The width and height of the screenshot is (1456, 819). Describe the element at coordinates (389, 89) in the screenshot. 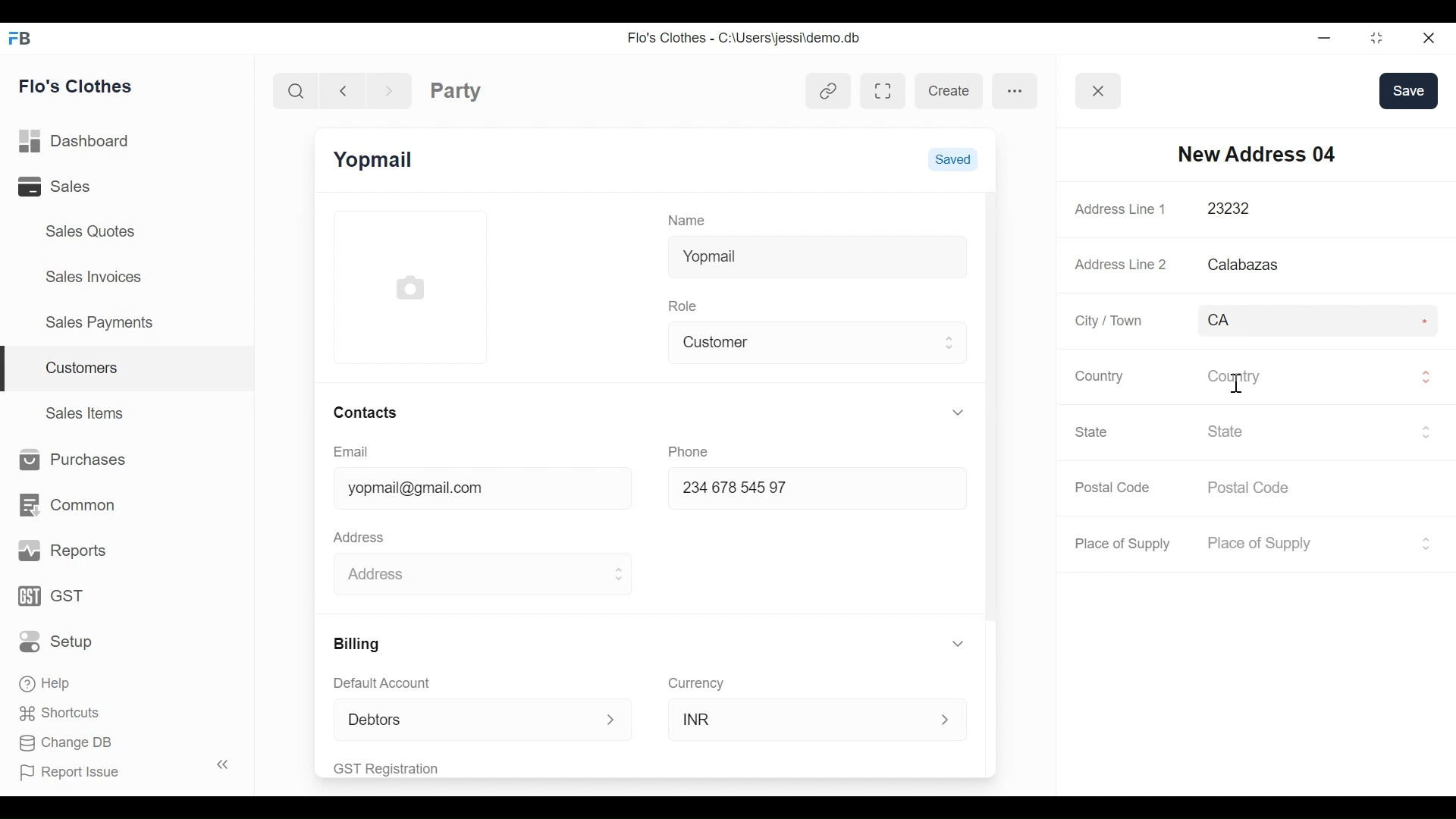

I see `Navigate Forward` at that location.